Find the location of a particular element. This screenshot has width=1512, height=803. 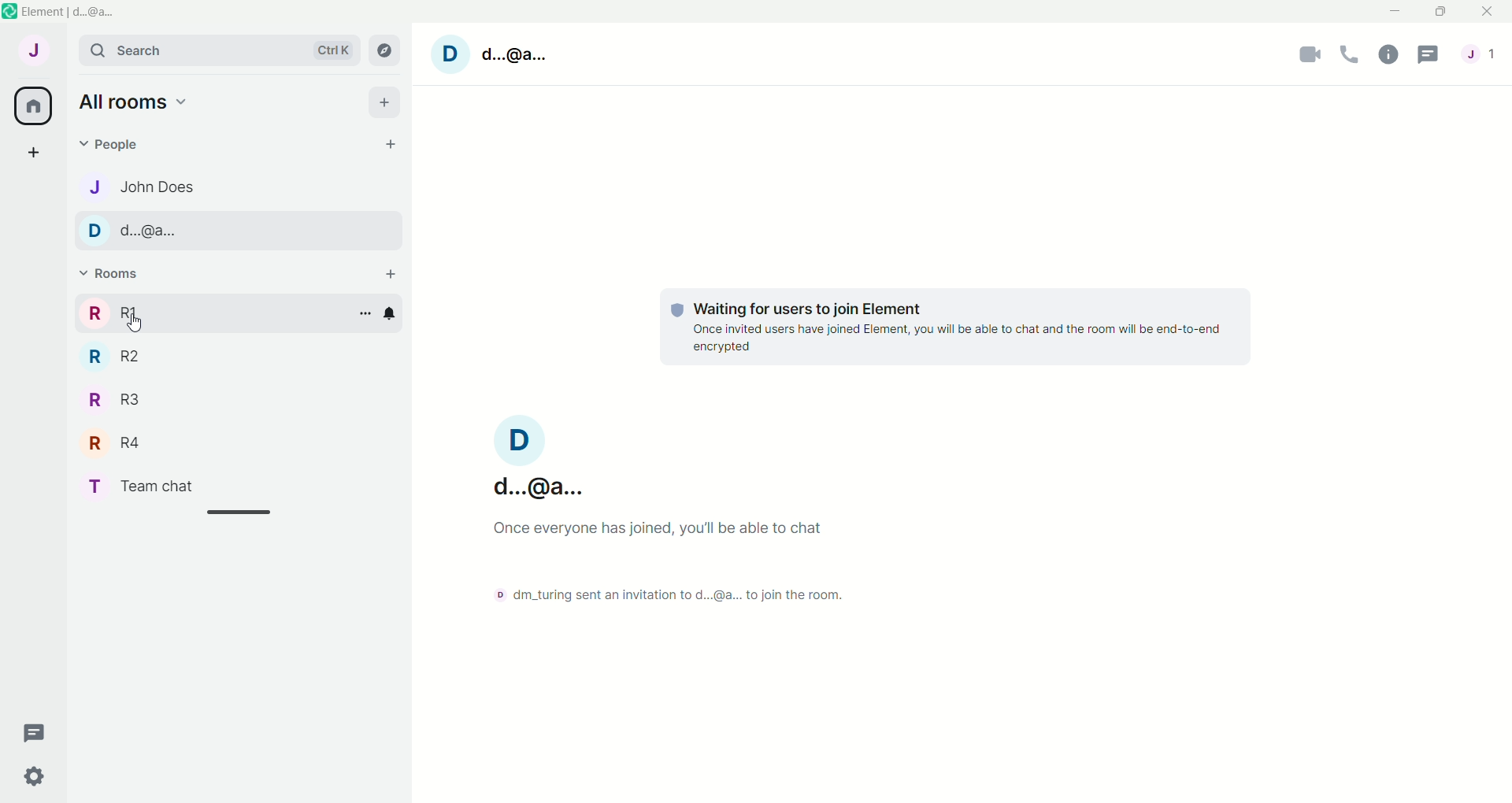

R R3 is located at coordinates (124, 398).